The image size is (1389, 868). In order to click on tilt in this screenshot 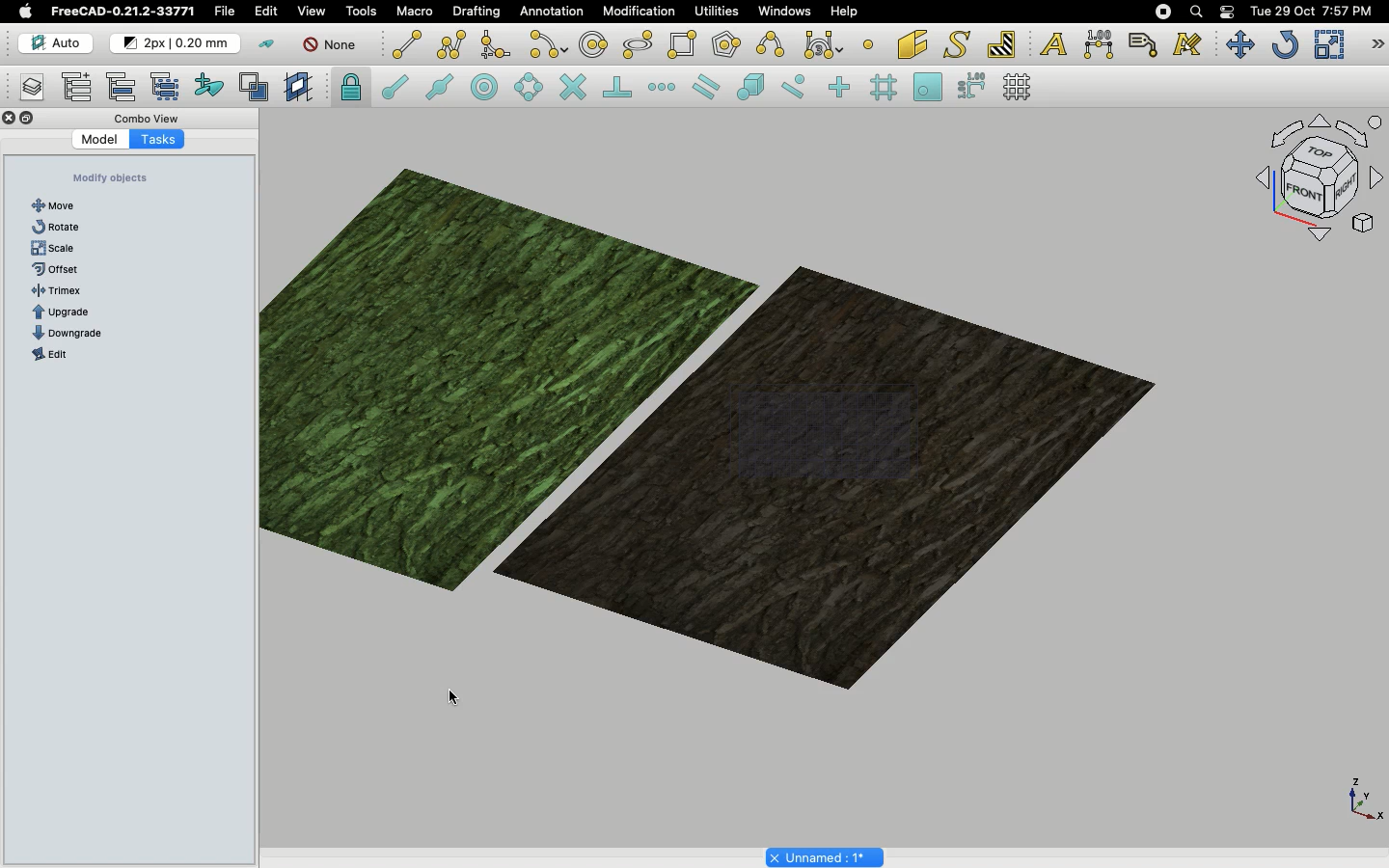, I will do `click(56, 354)`.